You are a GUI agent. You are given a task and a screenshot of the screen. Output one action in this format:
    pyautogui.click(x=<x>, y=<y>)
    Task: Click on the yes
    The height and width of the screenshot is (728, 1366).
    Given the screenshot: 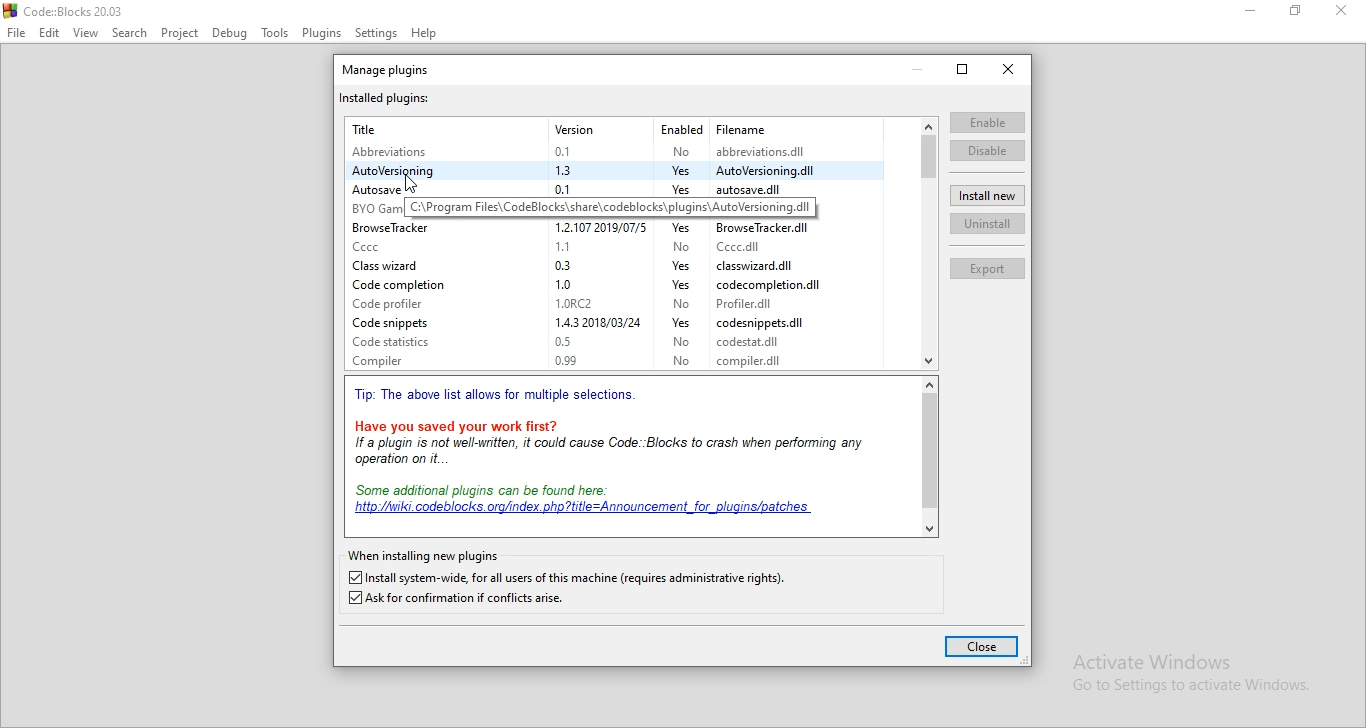 What is the action you would take?
    pyautogui.click(x=676, y=188)
    